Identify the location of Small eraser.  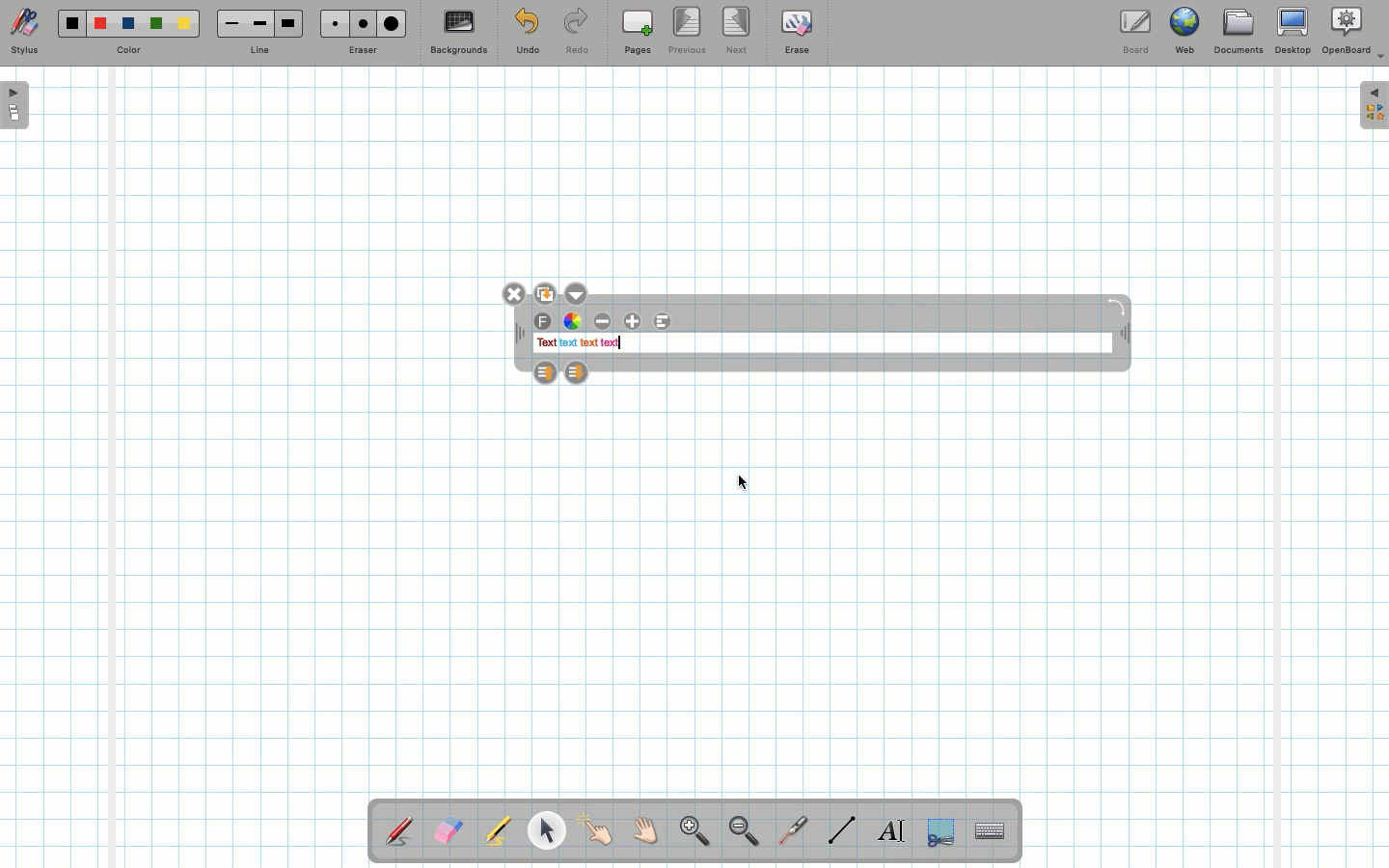
(330, 23).